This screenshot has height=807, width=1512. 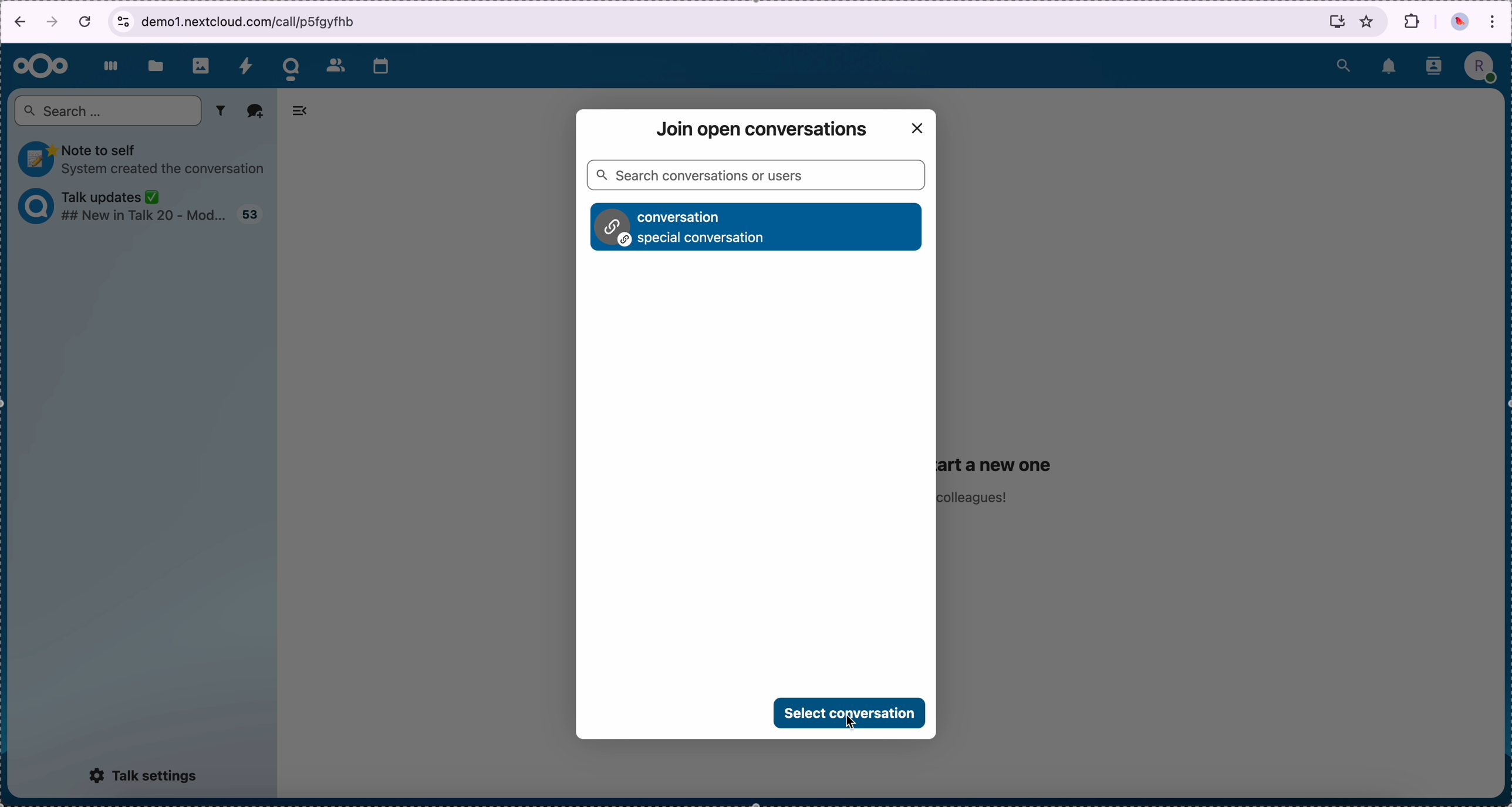 I want to click on calendar, so click(x=383, y=66).